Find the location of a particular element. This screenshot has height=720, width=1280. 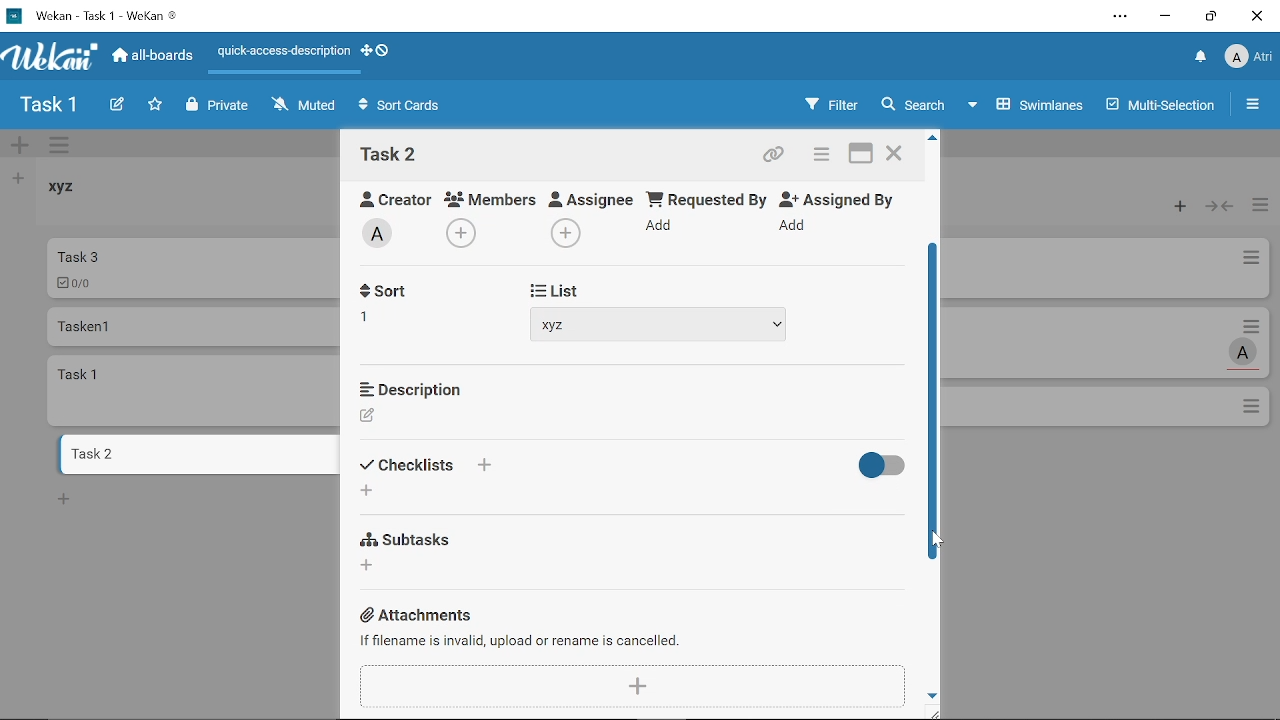

card named "task 1" is located at coordinates (195, 390).